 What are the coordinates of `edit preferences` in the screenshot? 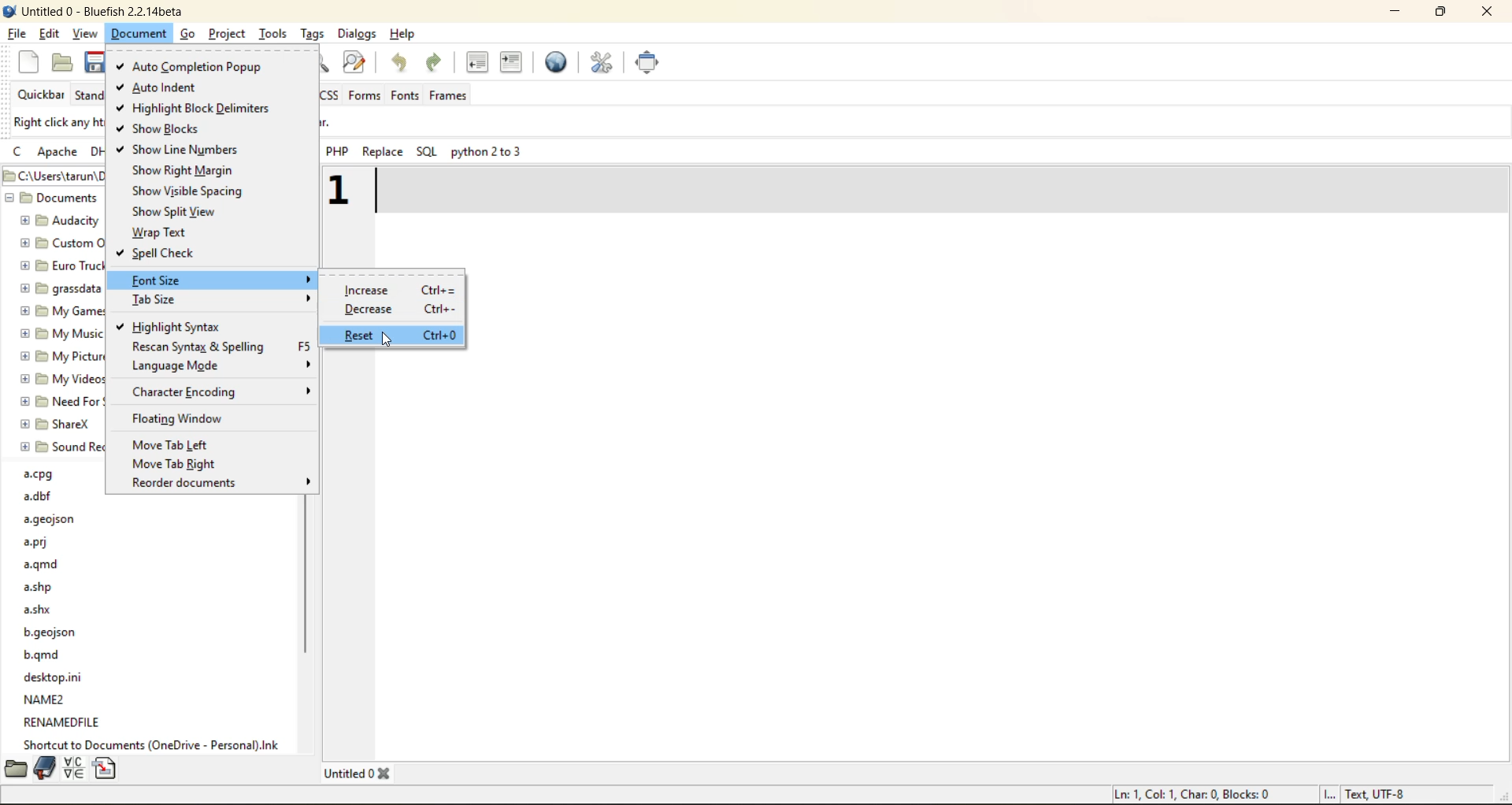 It's located at (600, 64).